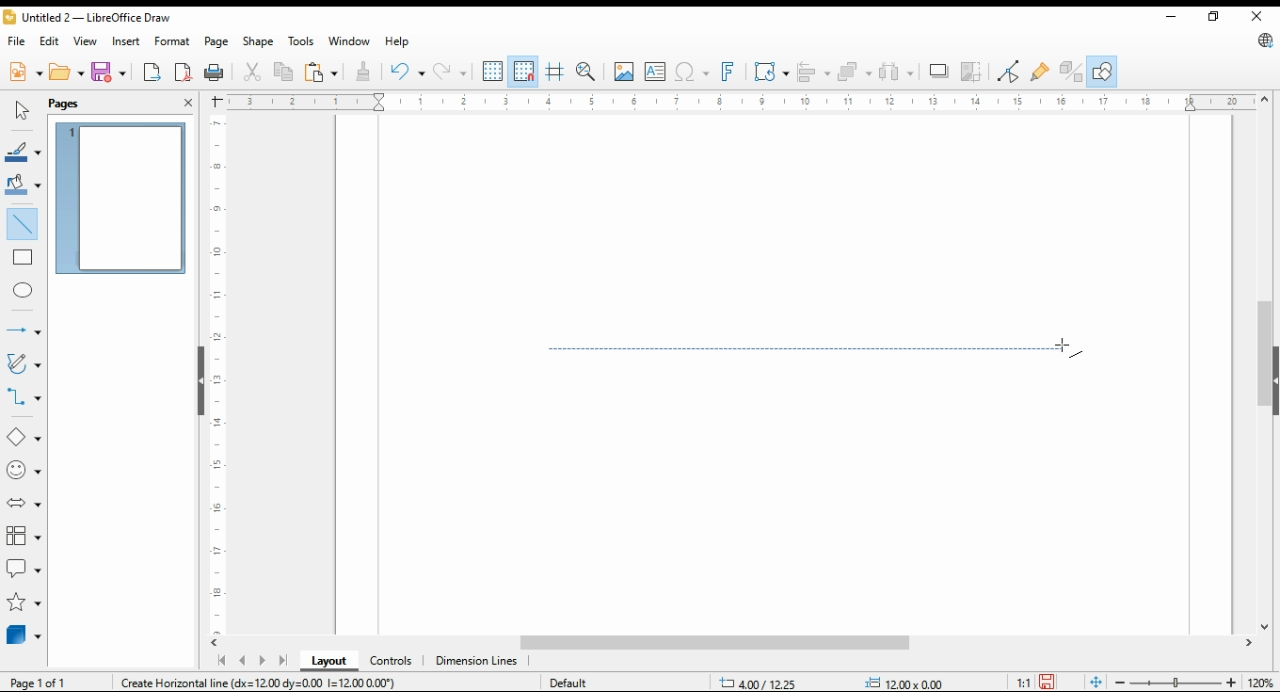 Image resolution: width=1280 pixels, height=692 pixels. I want to click on insert special characters, so click(690, 72).